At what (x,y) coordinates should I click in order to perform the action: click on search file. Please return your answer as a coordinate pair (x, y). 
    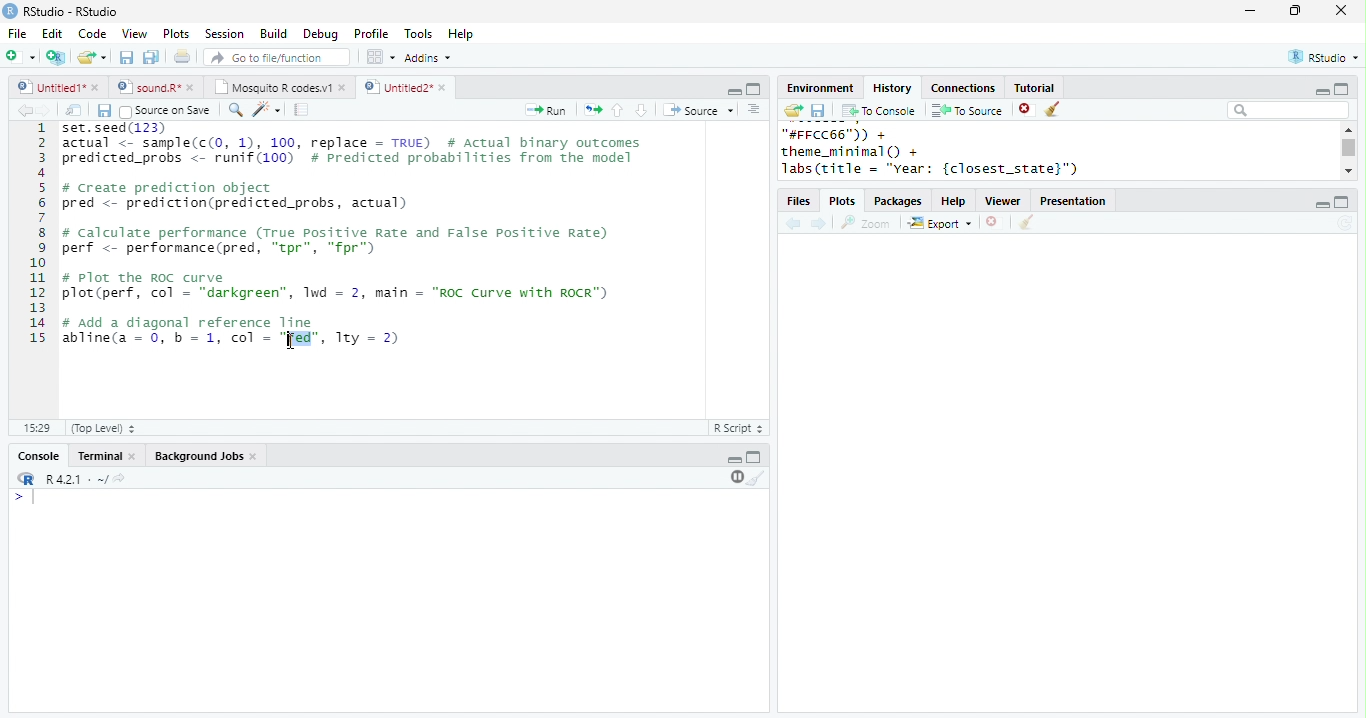
    Looking at the image, I should click on (278, 57).